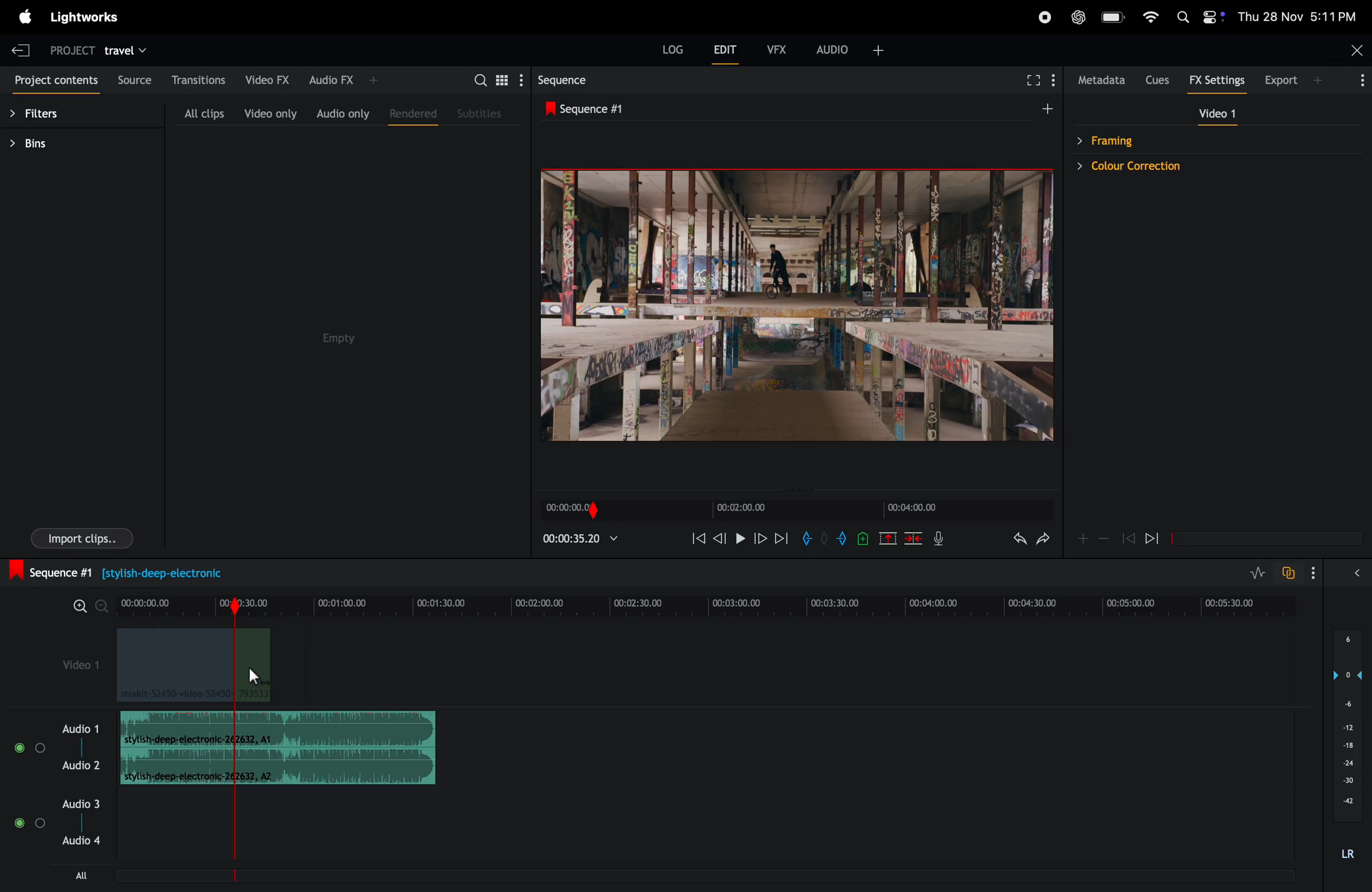 This screenshot has width=1372, height=892. What do you see at coordinates (481, 115) in the screenshot?
I see `subtitles` at bounding box center [481, 115].